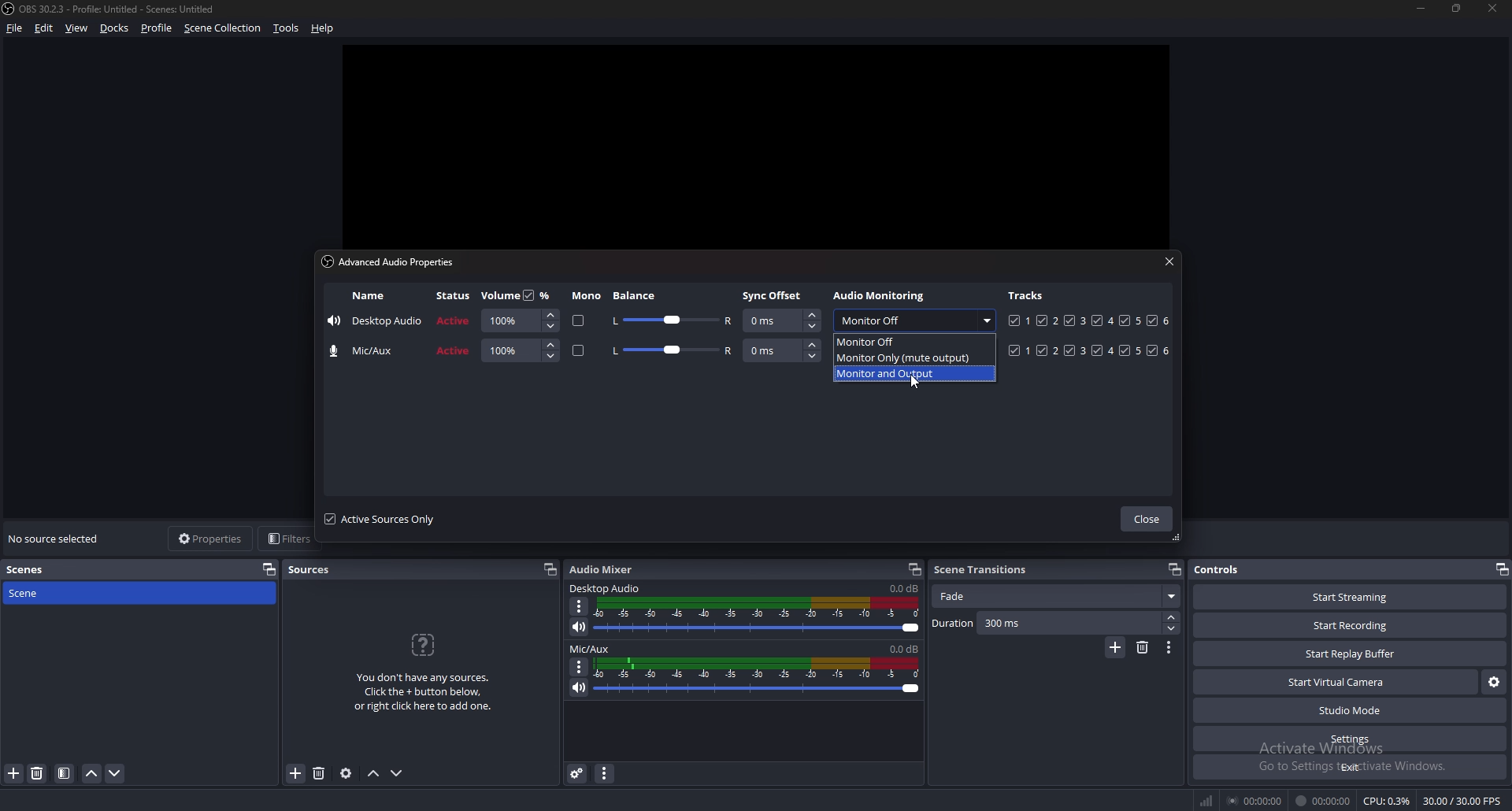 The height and width of the screenshot is (811, 1512). What do you see at coordinates (1352, 624) in the screenshot?
I see `start recording` at bounding box center [1352, 624].